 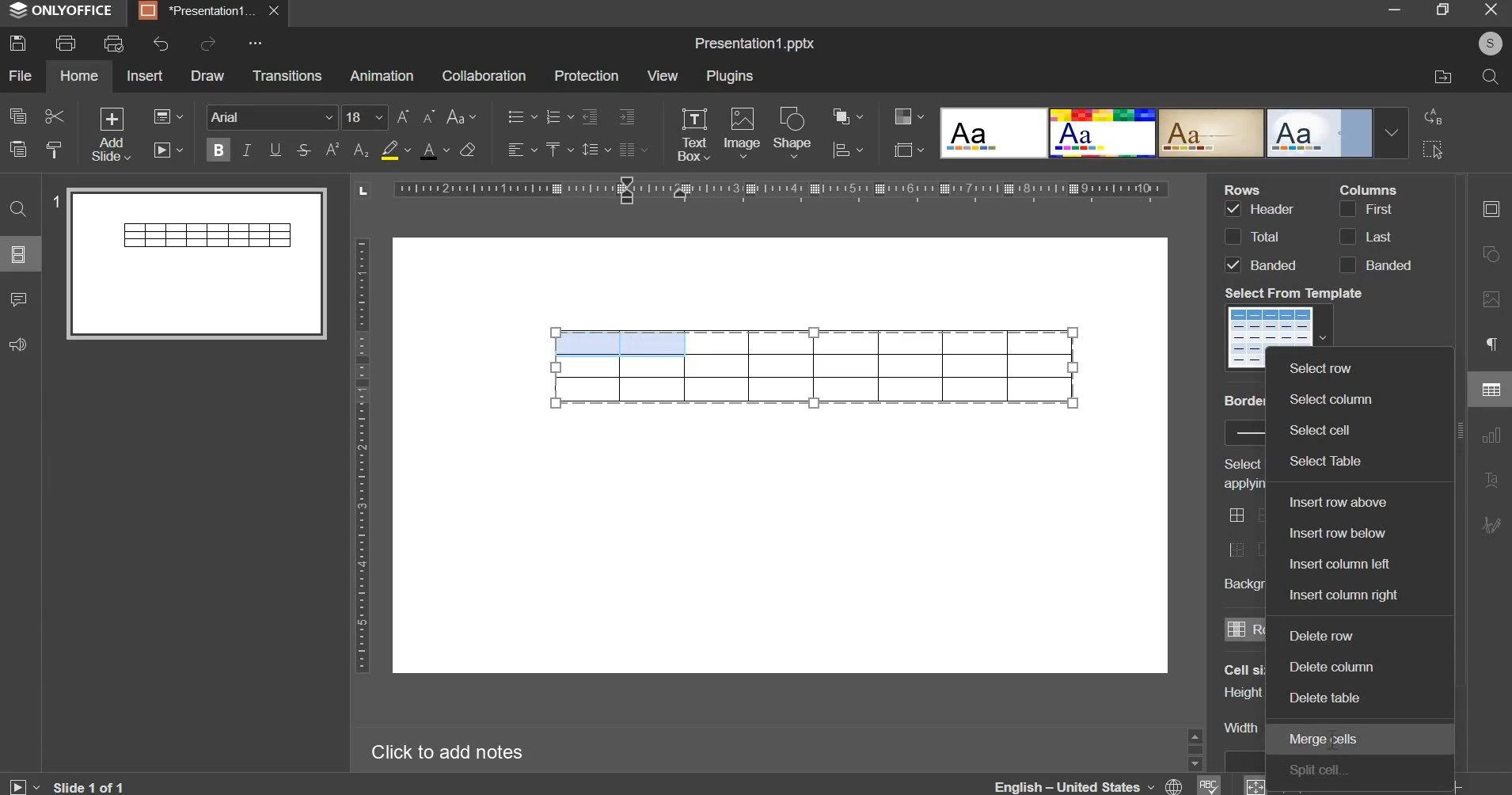 What do you see at coordinates (273, 116) in the screenshot?
I see `font` at bounding box center [273, 116].